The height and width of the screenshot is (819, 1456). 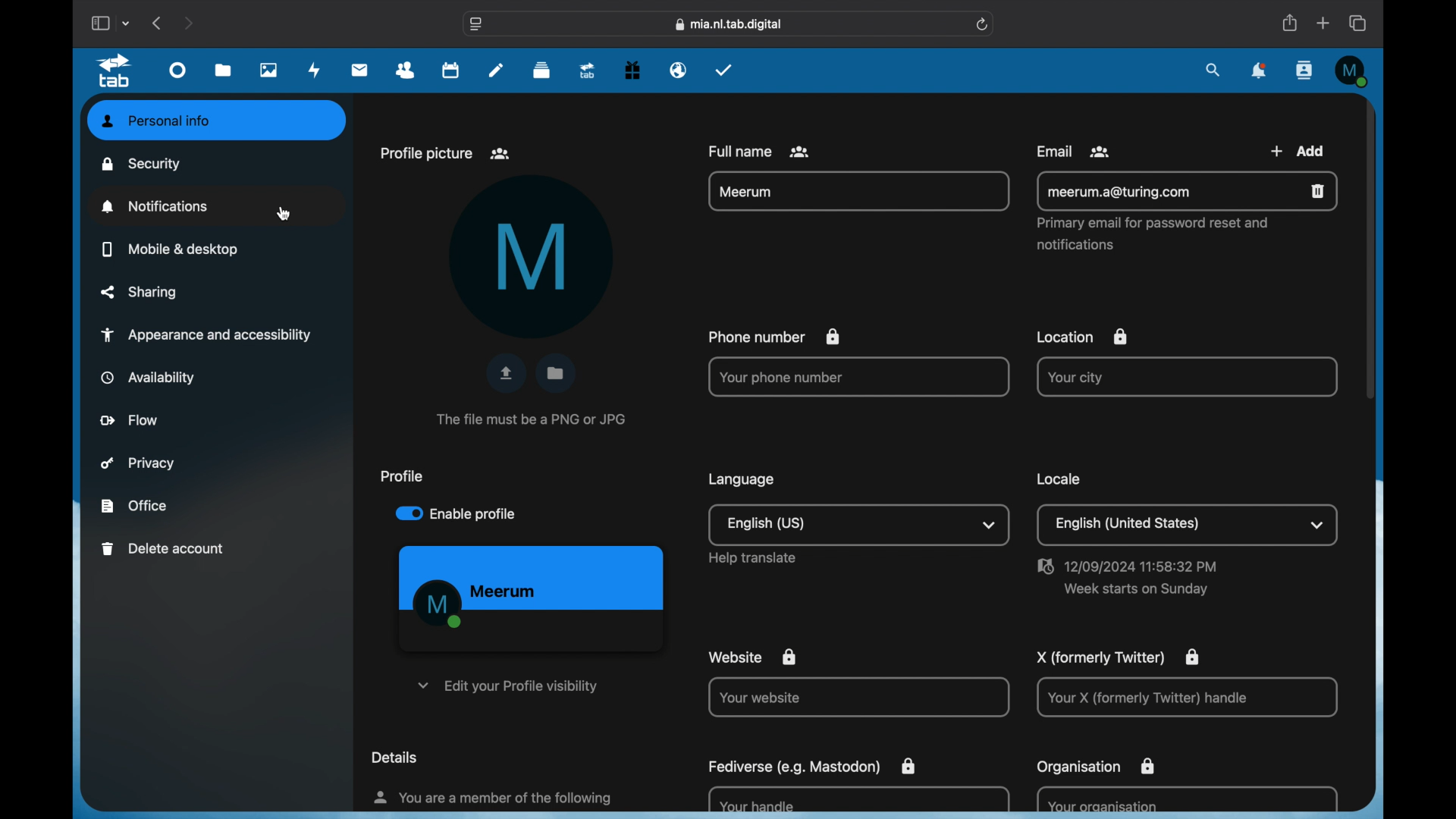 I want to click on profile, so click(x=400, y=475).